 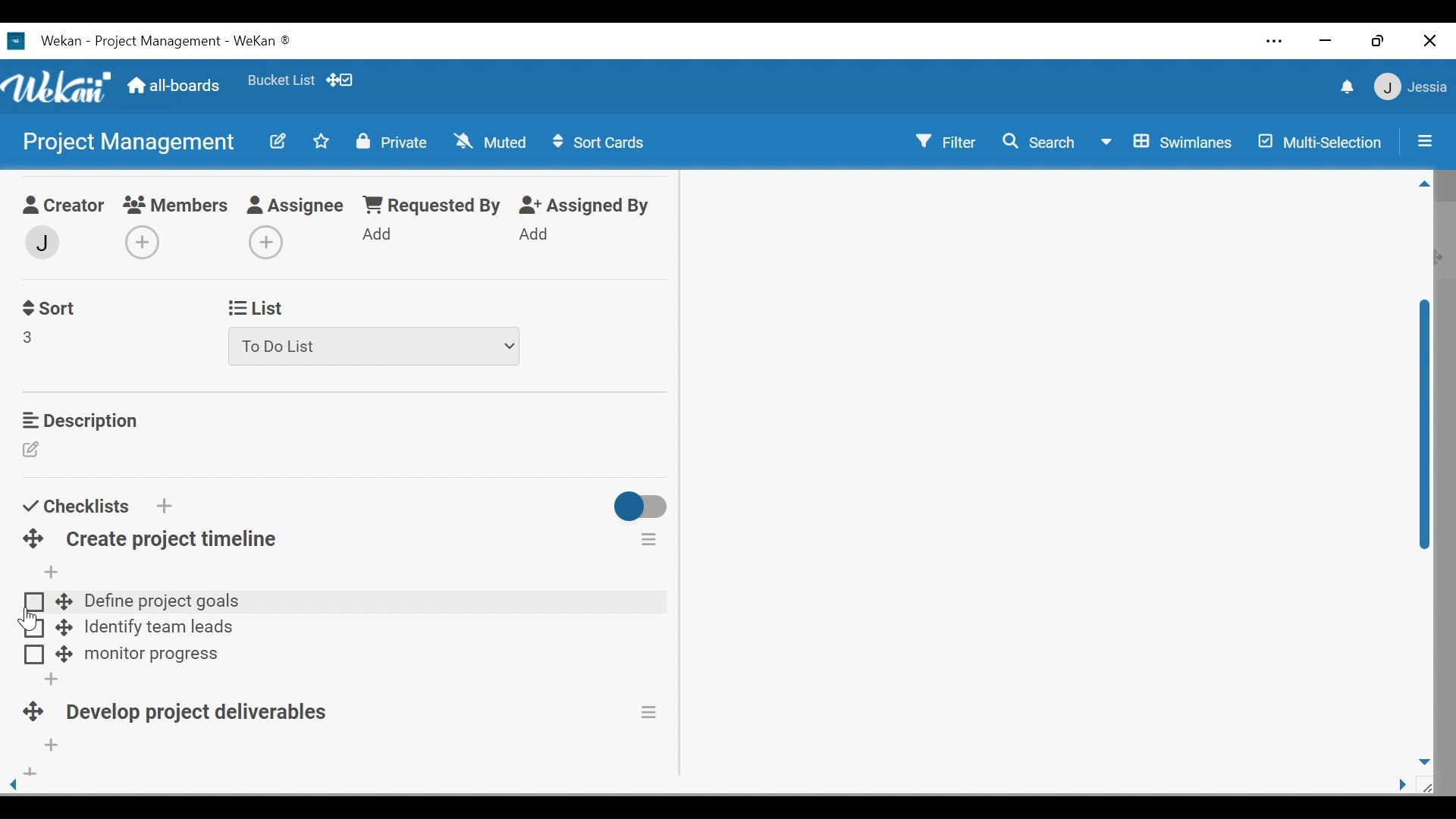 What do you see at coordinates (165, 507) in the screenshot?
I see `` at bounding box center [165, 507].